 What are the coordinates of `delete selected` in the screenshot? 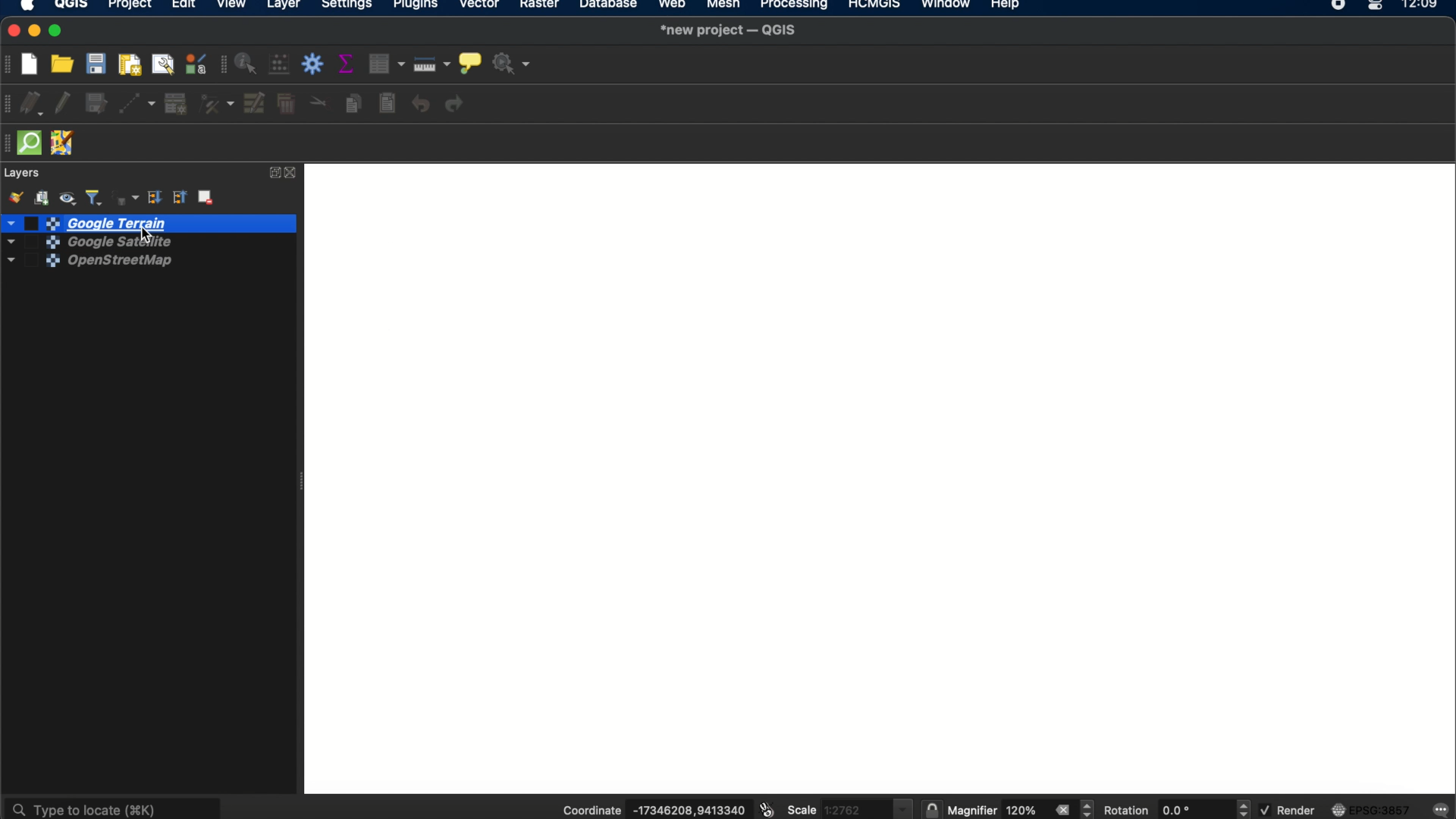 It's located at (286, 105).